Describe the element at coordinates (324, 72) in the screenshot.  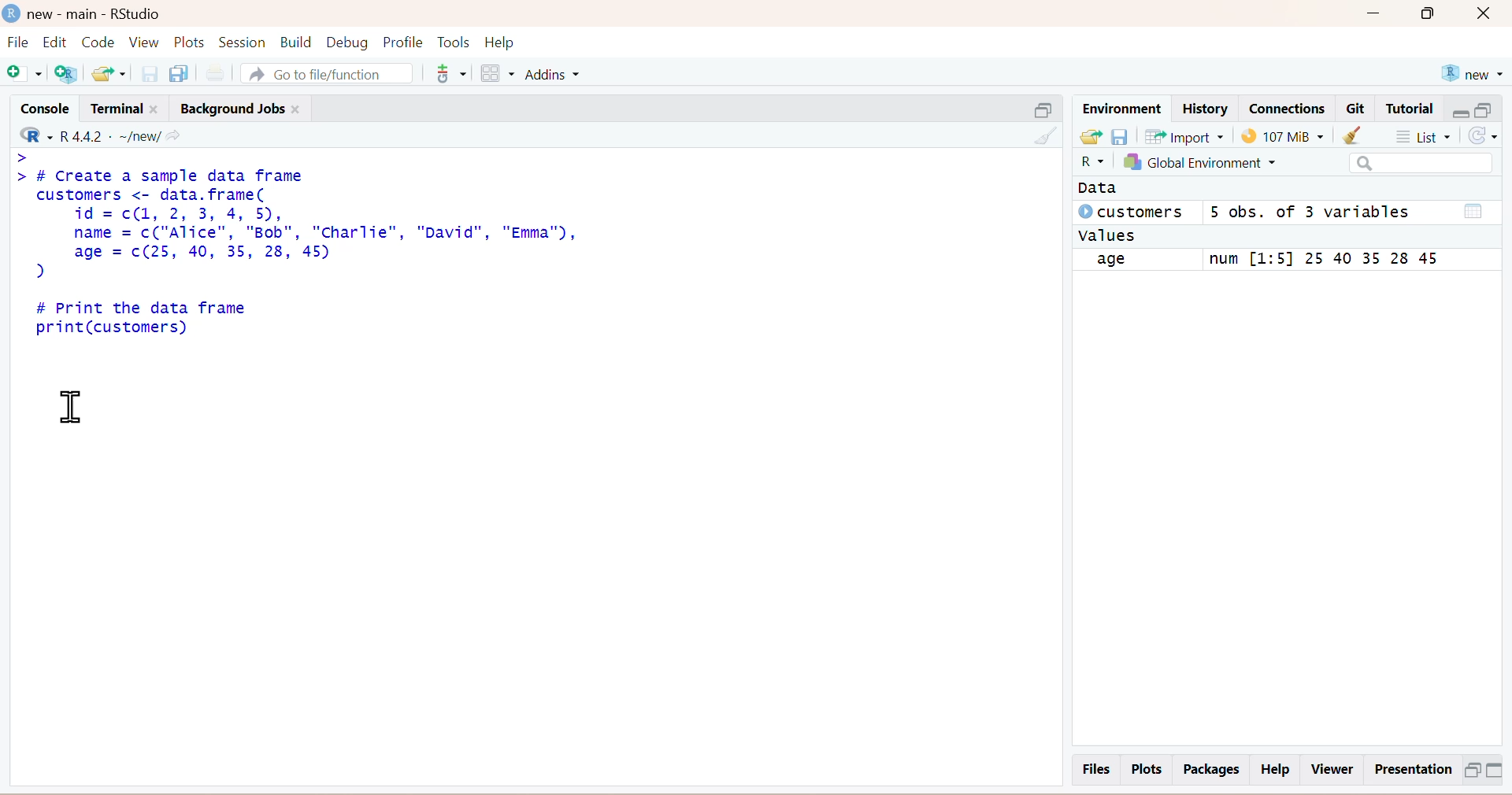
I see `A Go to file/function` at that location.